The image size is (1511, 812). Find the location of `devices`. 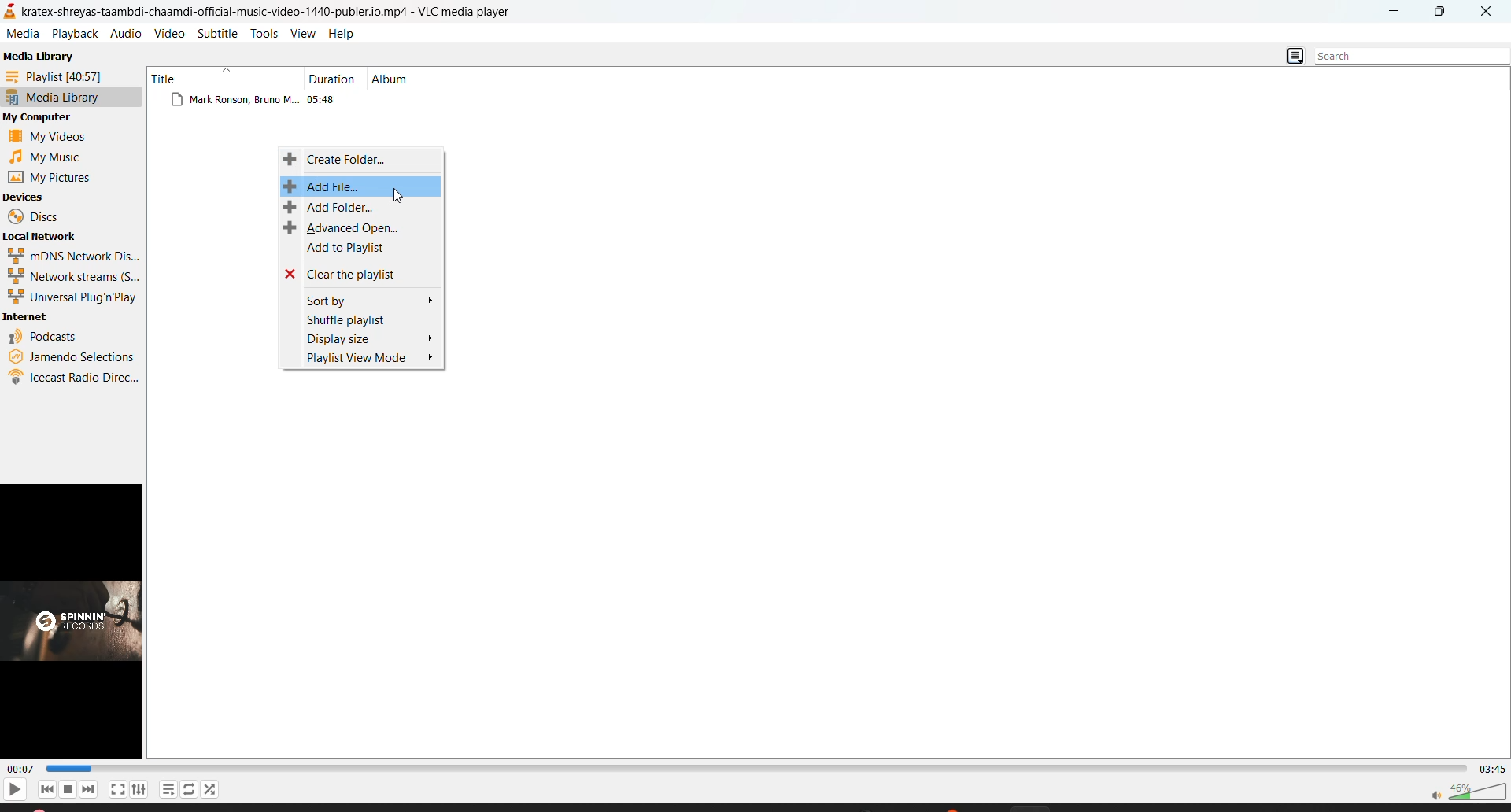

devices is located at coordinates (37, 198).